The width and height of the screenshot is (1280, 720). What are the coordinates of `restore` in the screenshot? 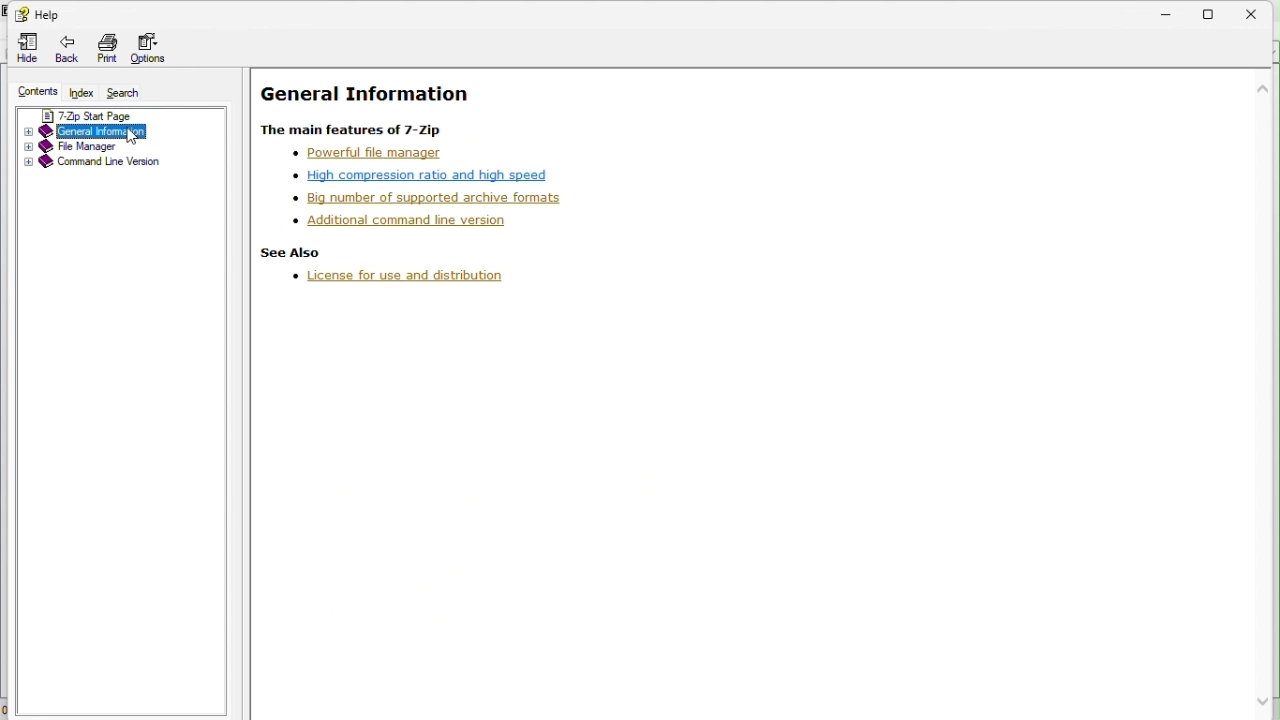 It's located at (1221, 12).